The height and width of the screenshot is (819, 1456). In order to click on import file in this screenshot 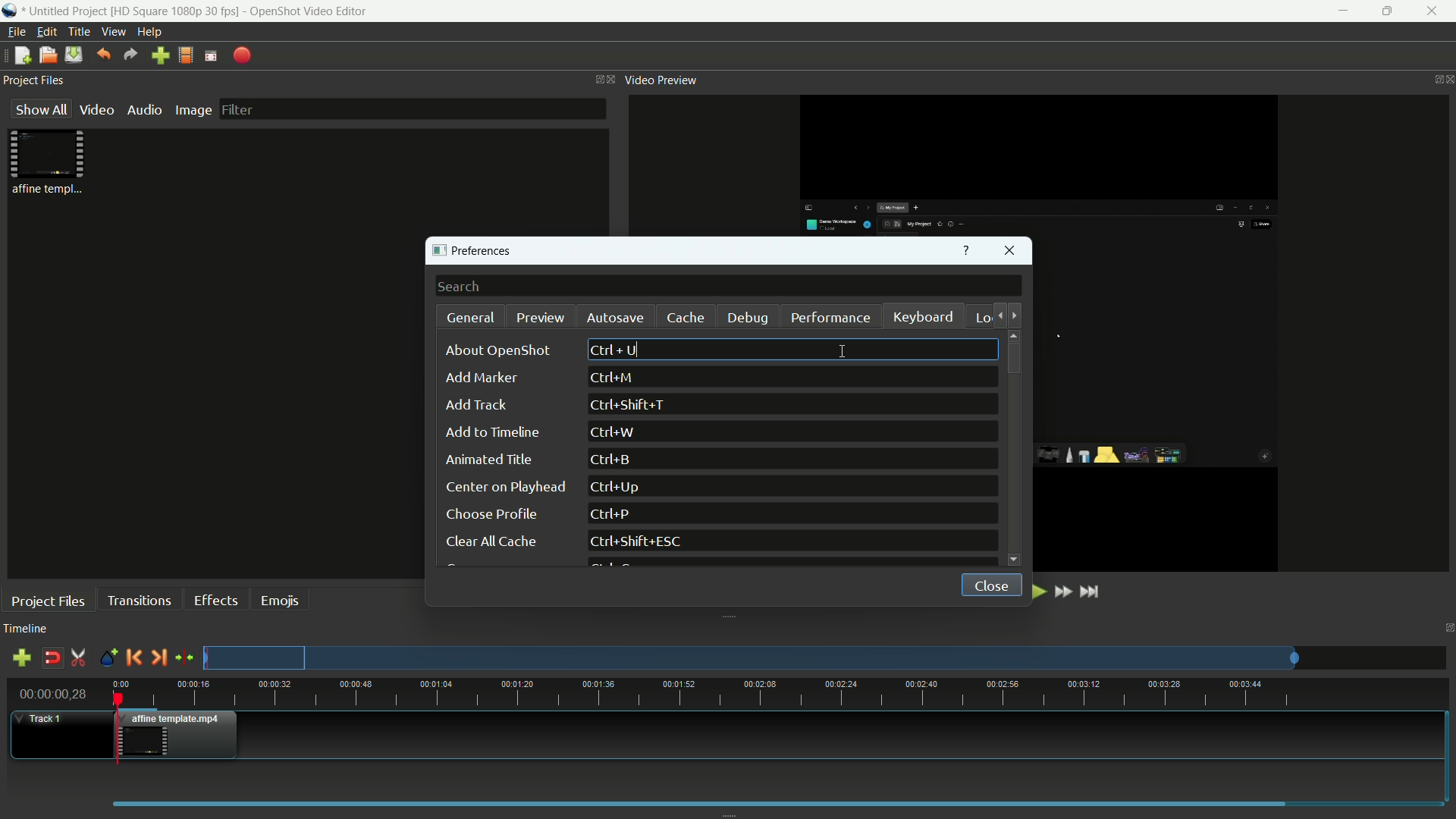, I will do `click(161, 56)`.